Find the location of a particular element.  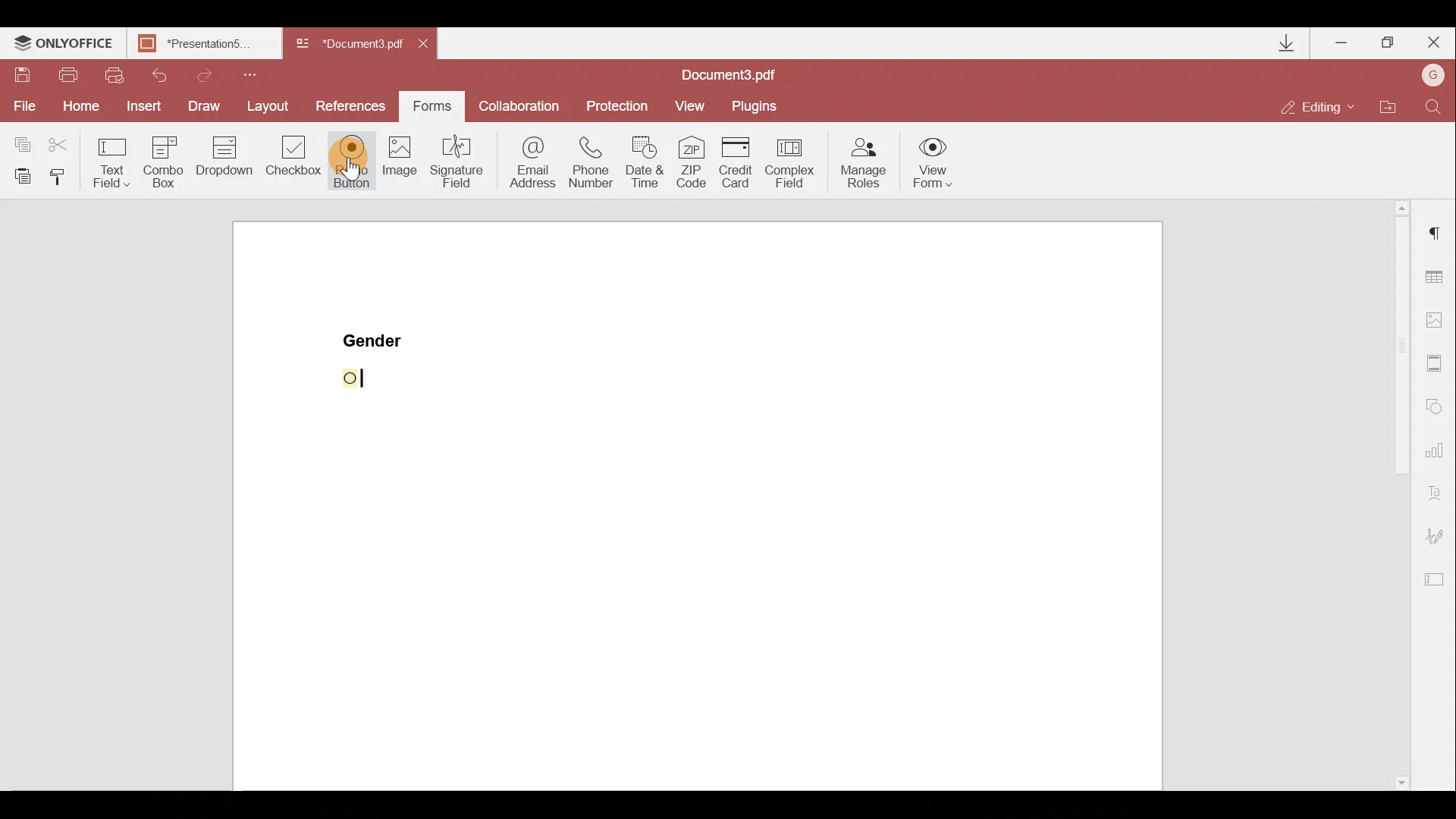

File is located at coordinates (21, 107).